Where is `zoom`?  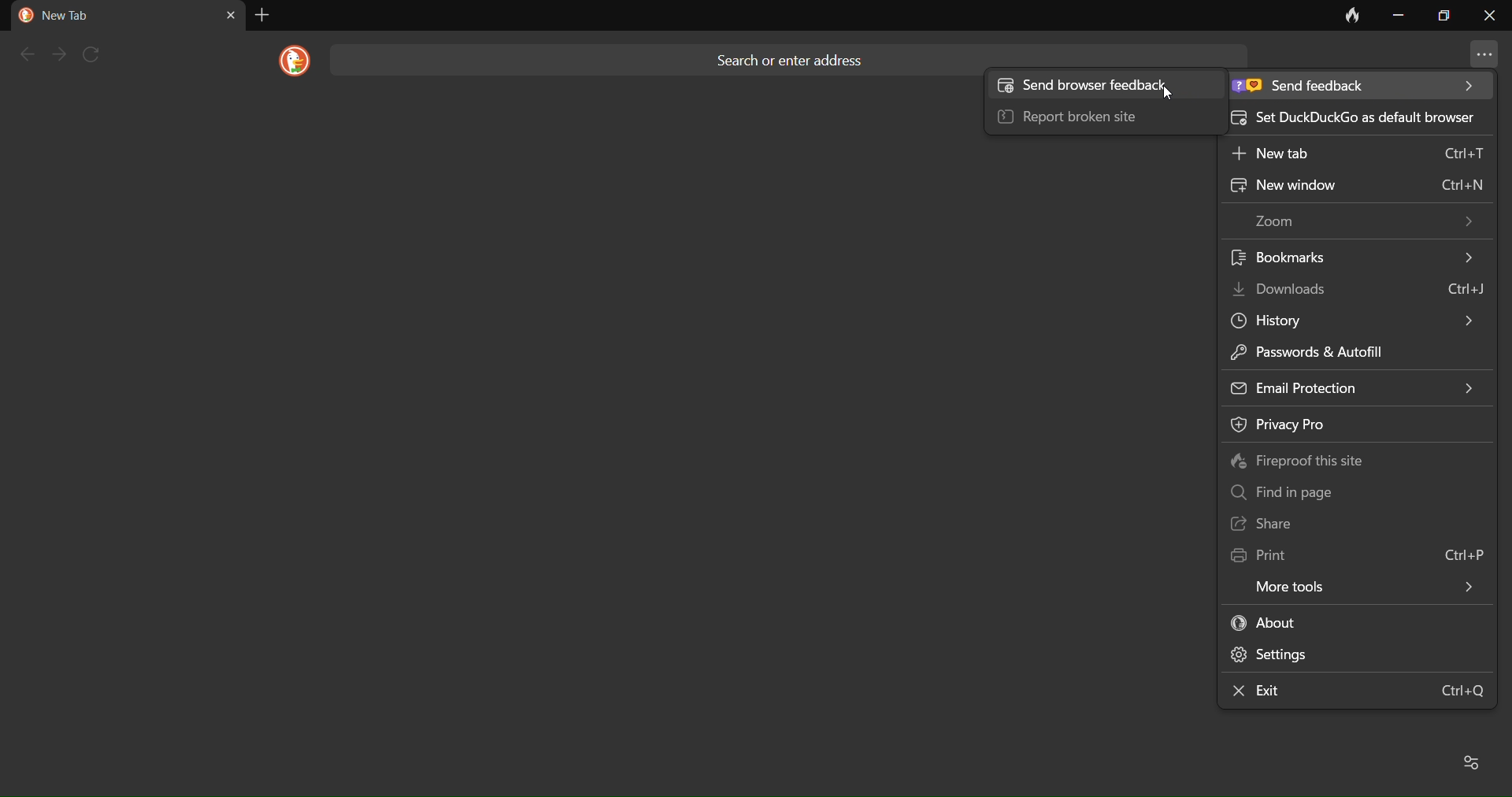
zoom is located at coordinates (1366, 221).